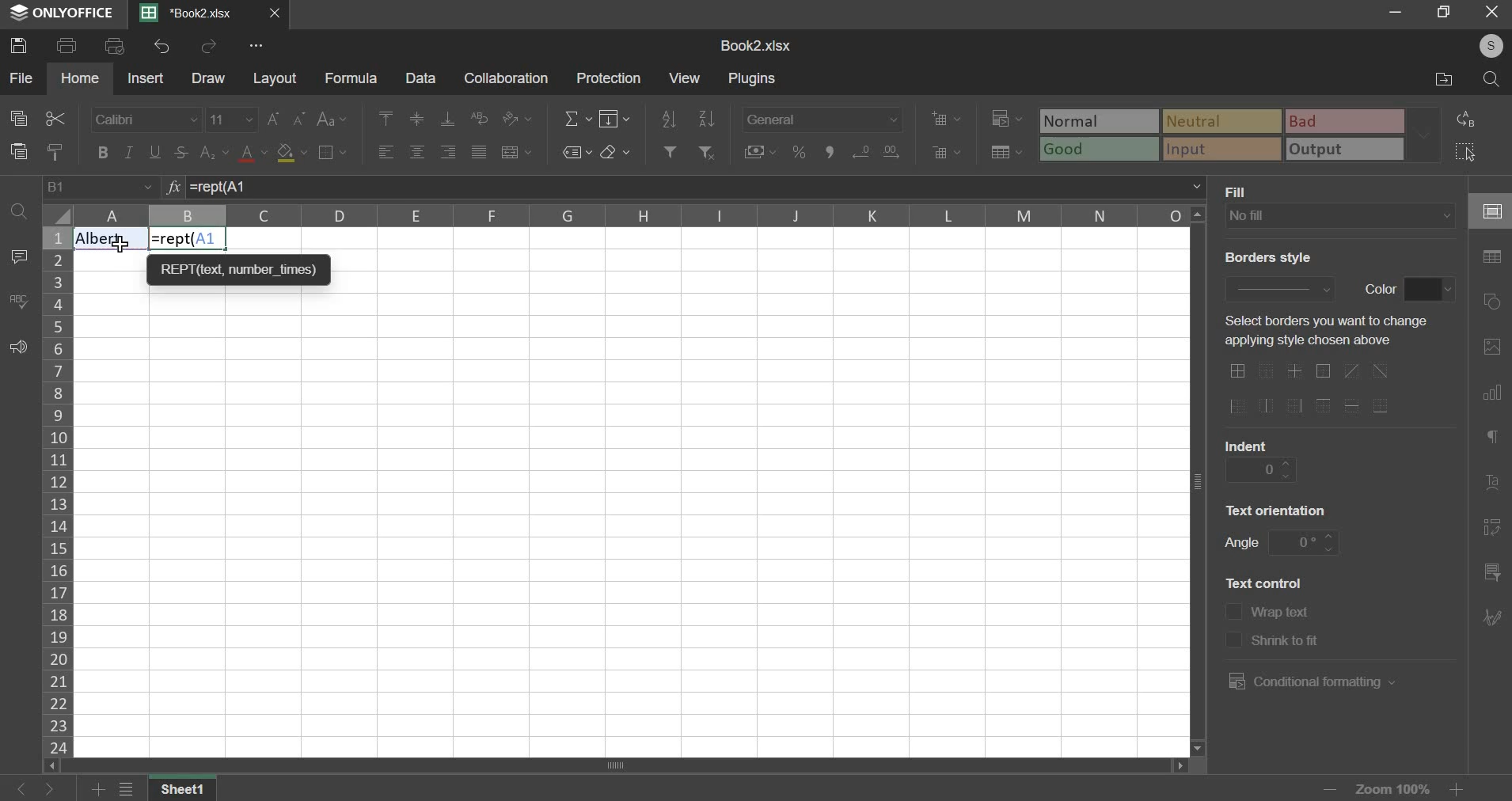  I want to click on text control, so click(1235, 624).